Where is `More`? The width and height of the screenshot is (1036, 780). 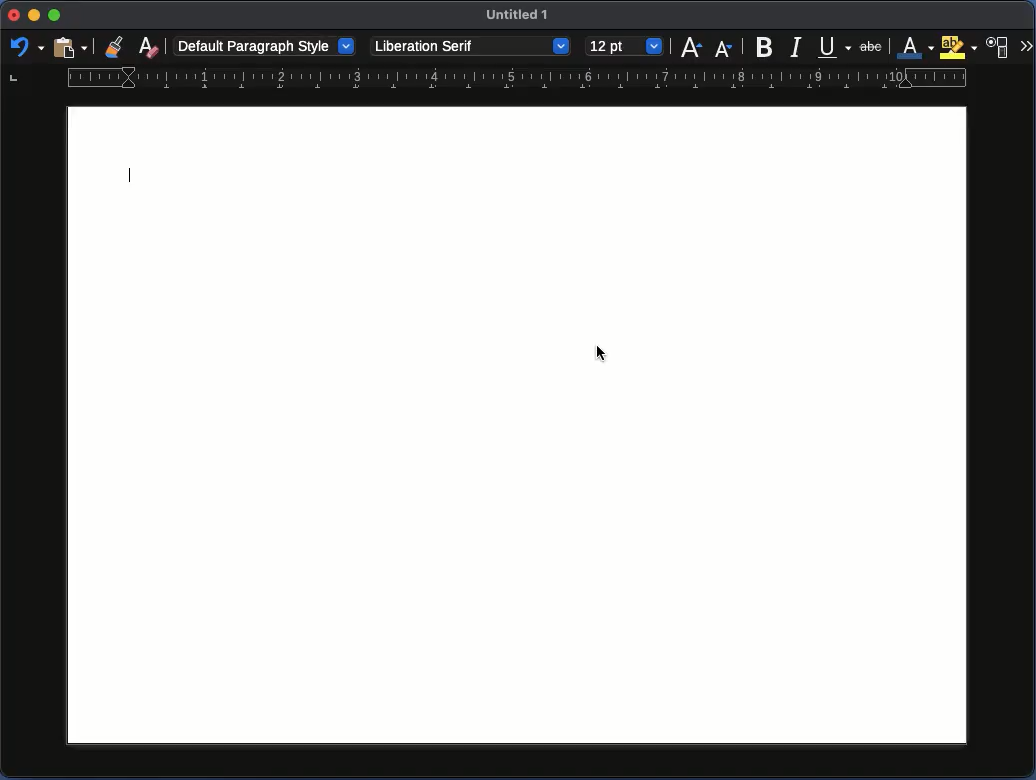 More is located at coordinates (1026, 47).